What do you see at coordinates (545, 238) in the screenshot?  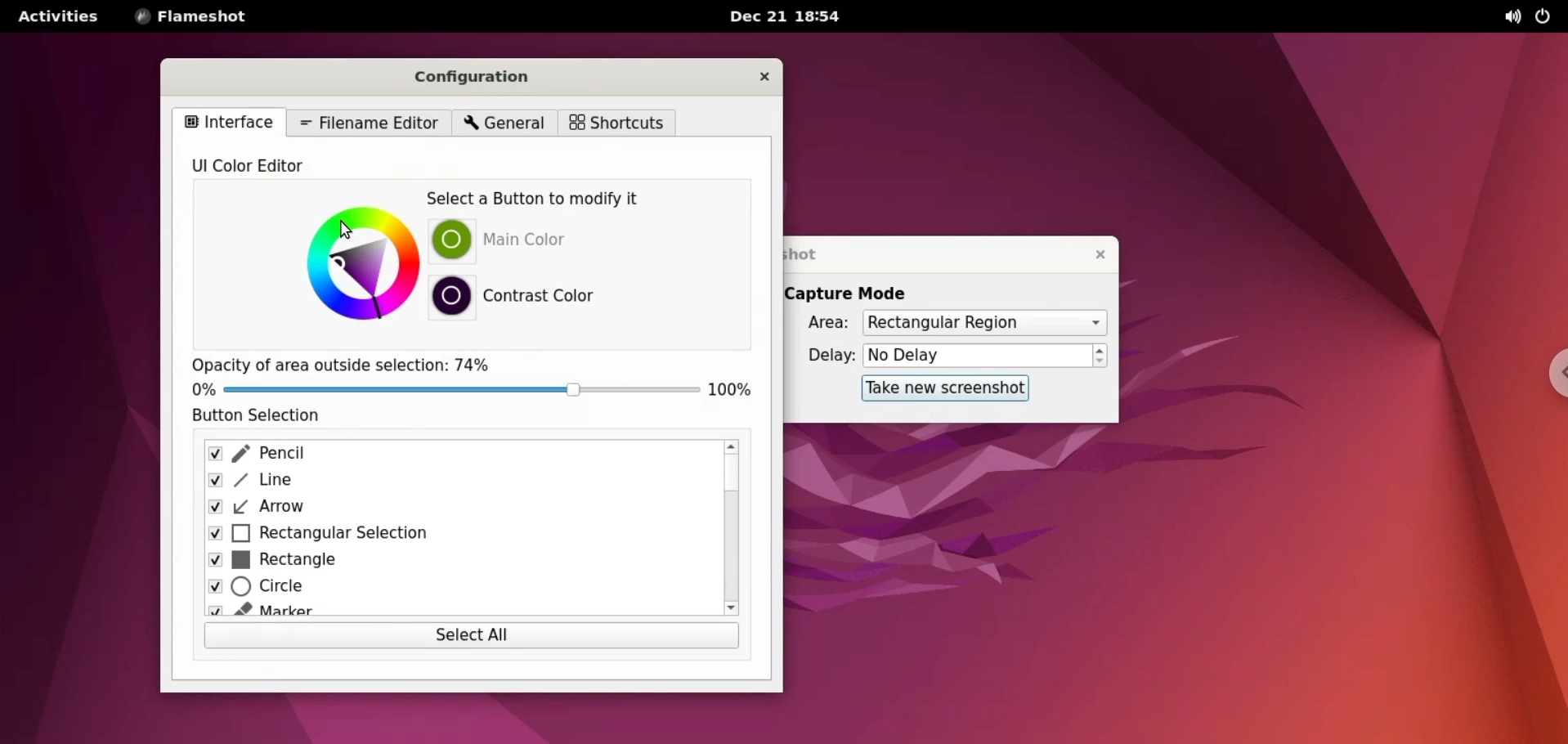 I see `main color` at bounding box center [545, 238].